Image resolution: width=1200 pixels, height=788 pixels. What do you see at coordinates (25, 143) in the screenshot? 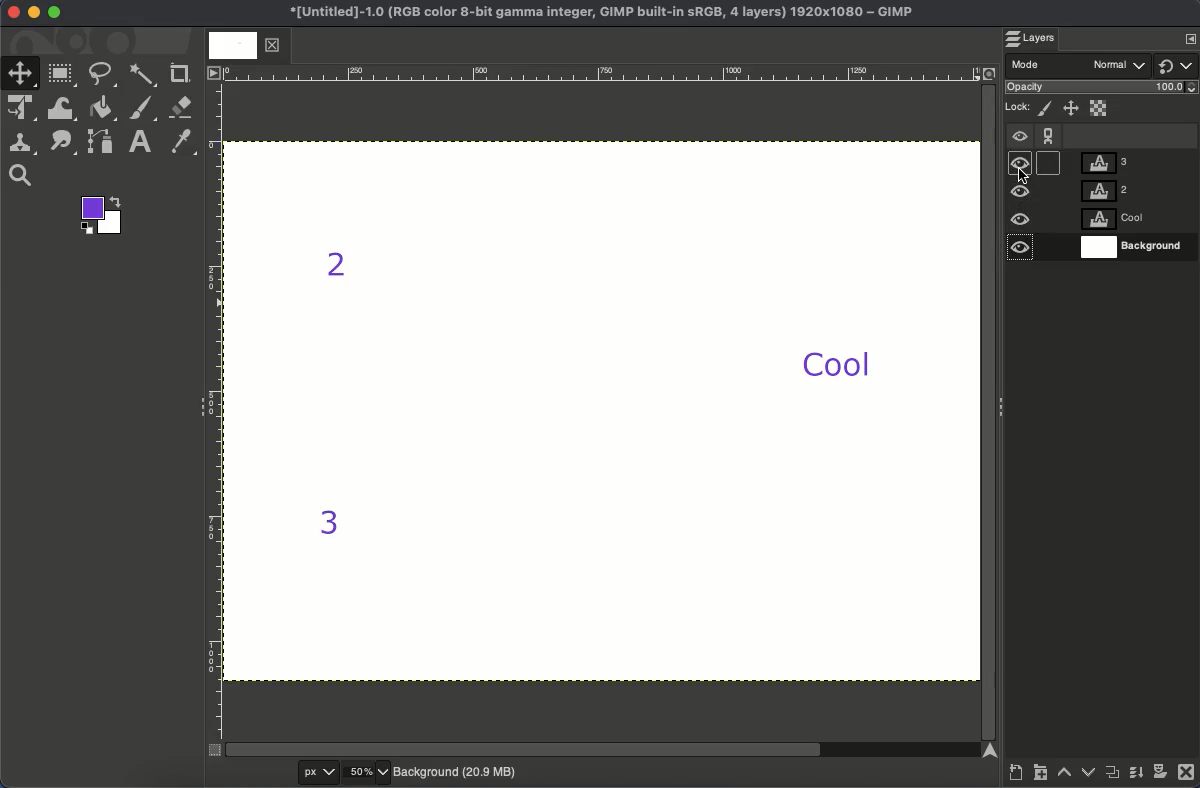
I see `Clone` at bounding box center [25, 143].